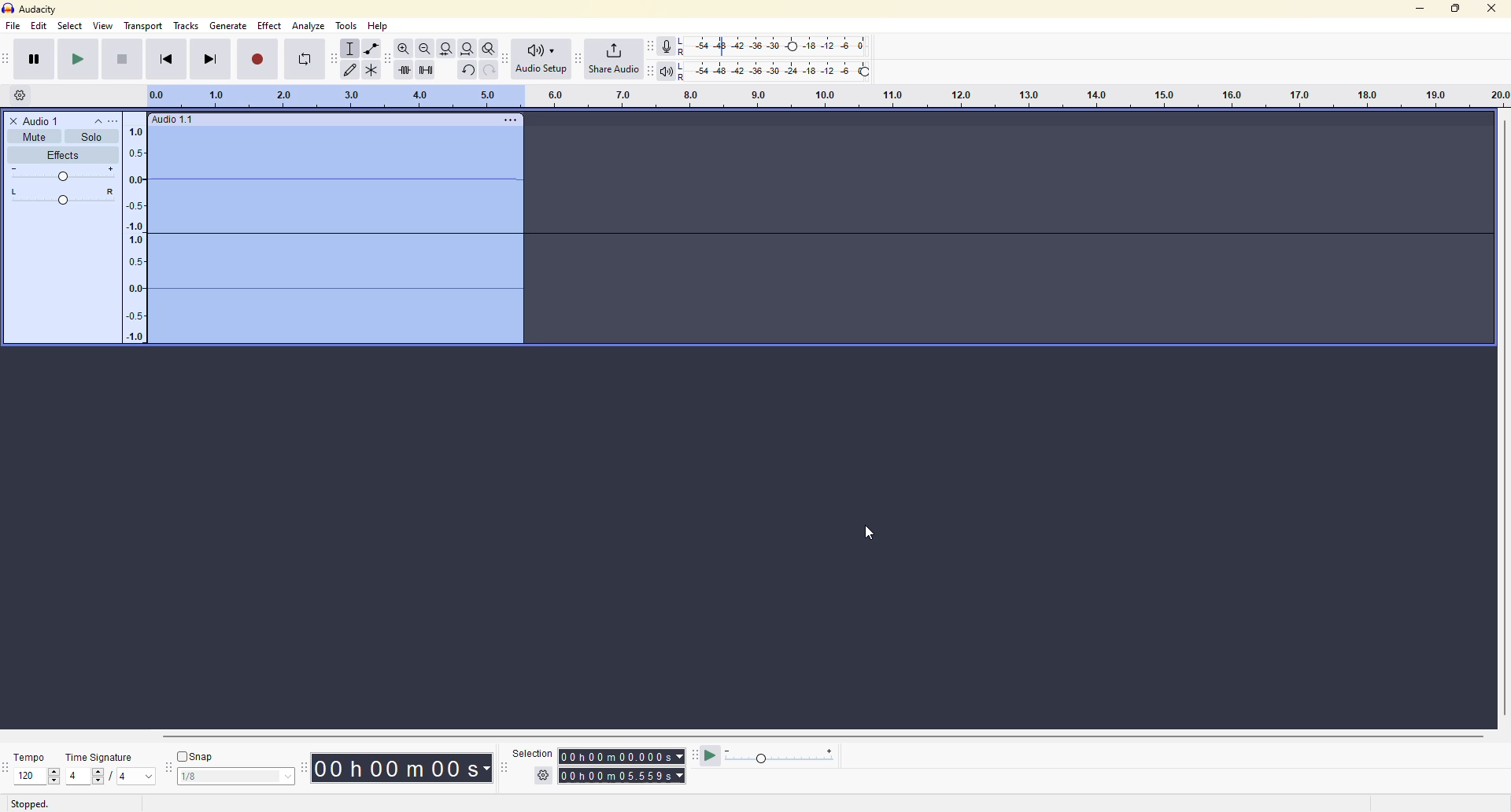 This screenshot has height=812, width=1511. Describe the element at coordinates (78, 59) in the screenshot. I see `play` at that location.